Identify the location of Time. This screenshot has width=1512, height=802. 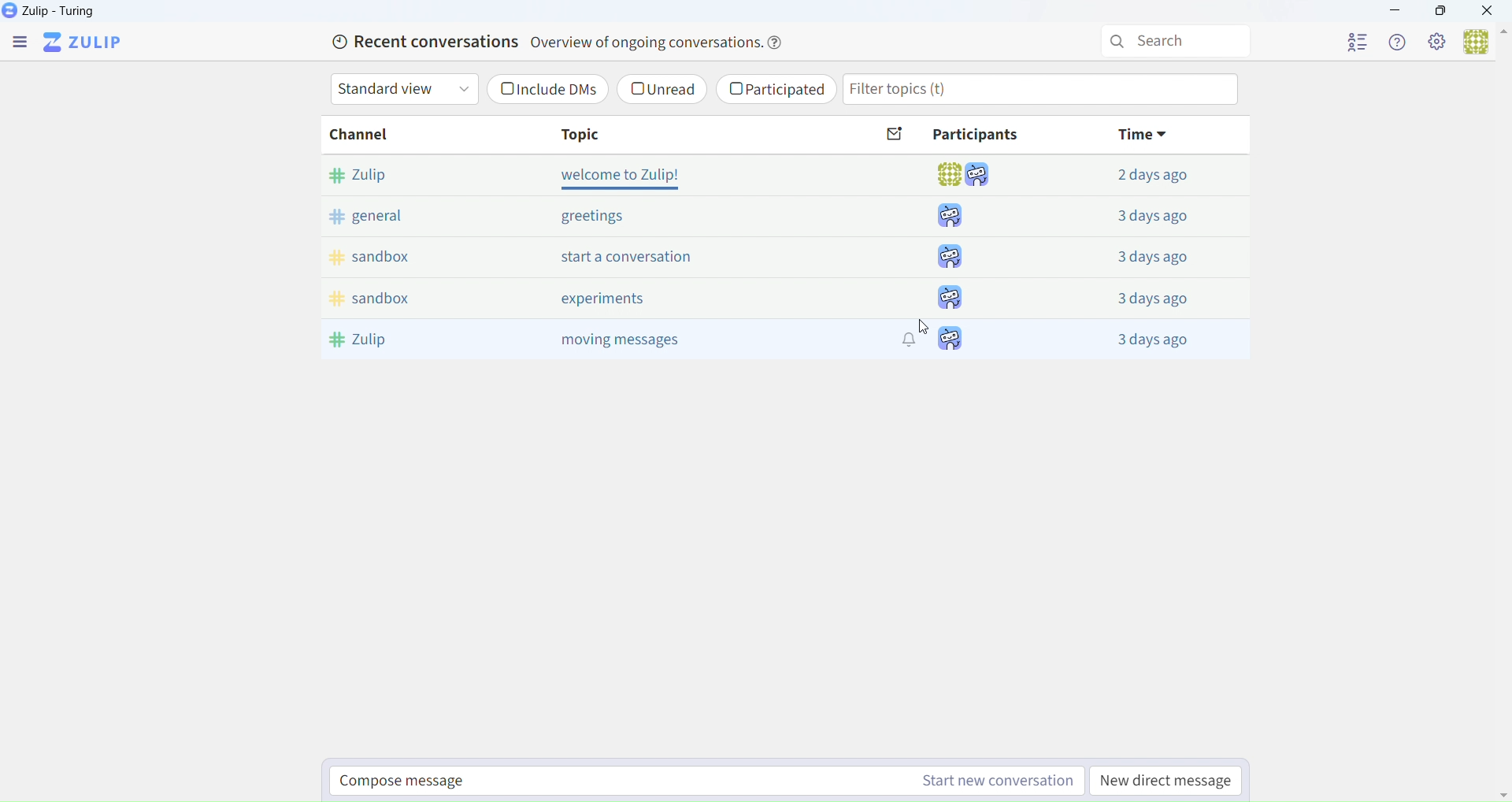
(1136, 133).